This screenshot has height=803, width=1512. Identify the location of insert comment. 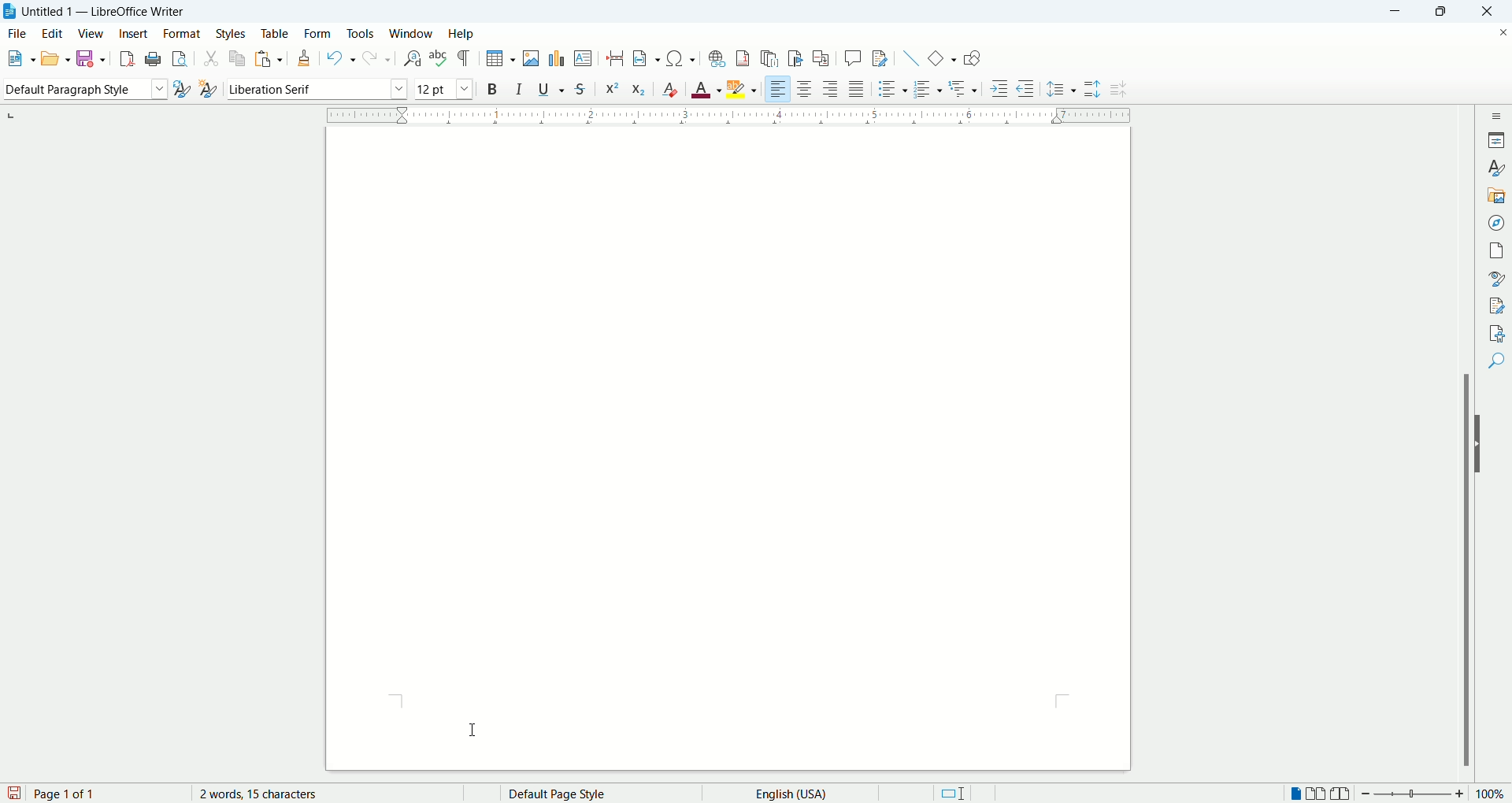
(853, 57).